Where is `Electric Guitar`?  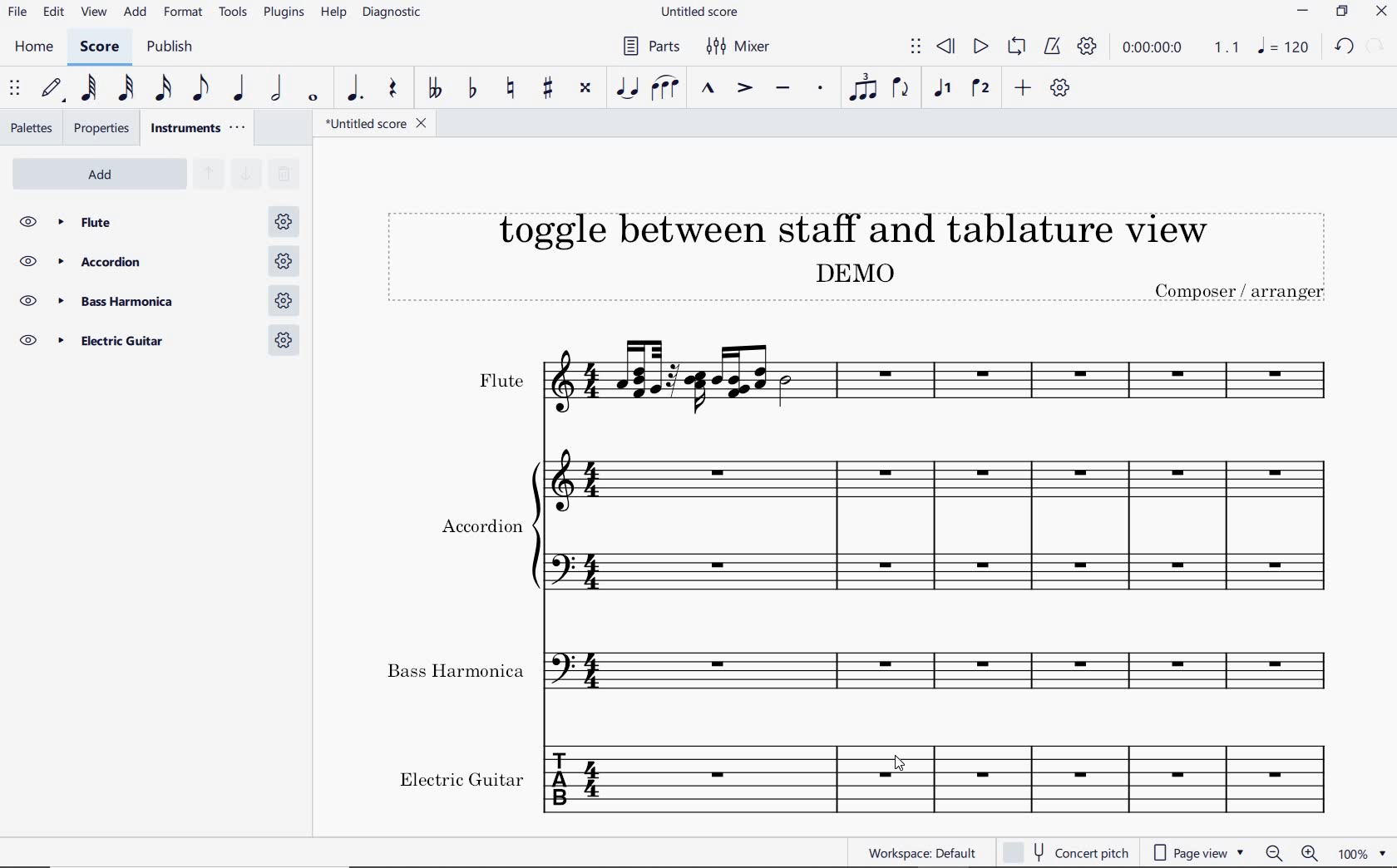 Electric Guitar is located at coordinates (158, 343).